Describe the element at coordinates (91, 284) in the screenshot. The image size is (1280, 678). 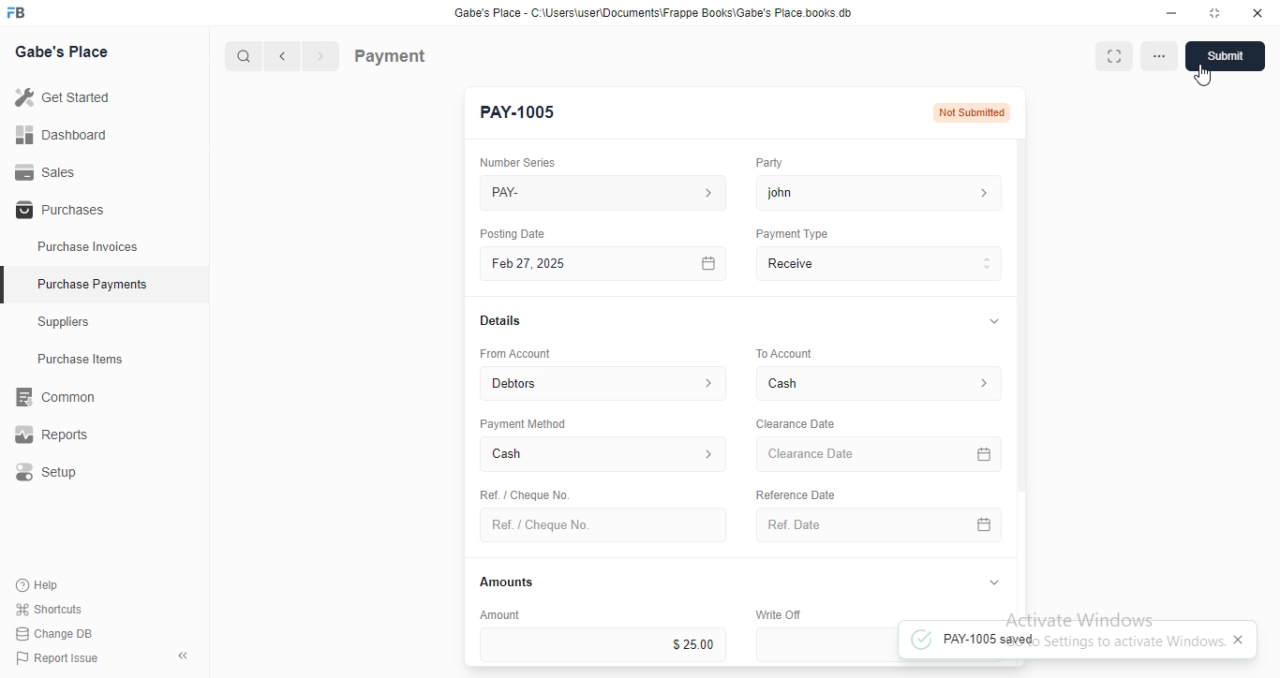
I see `Purchase Payments` at that location.